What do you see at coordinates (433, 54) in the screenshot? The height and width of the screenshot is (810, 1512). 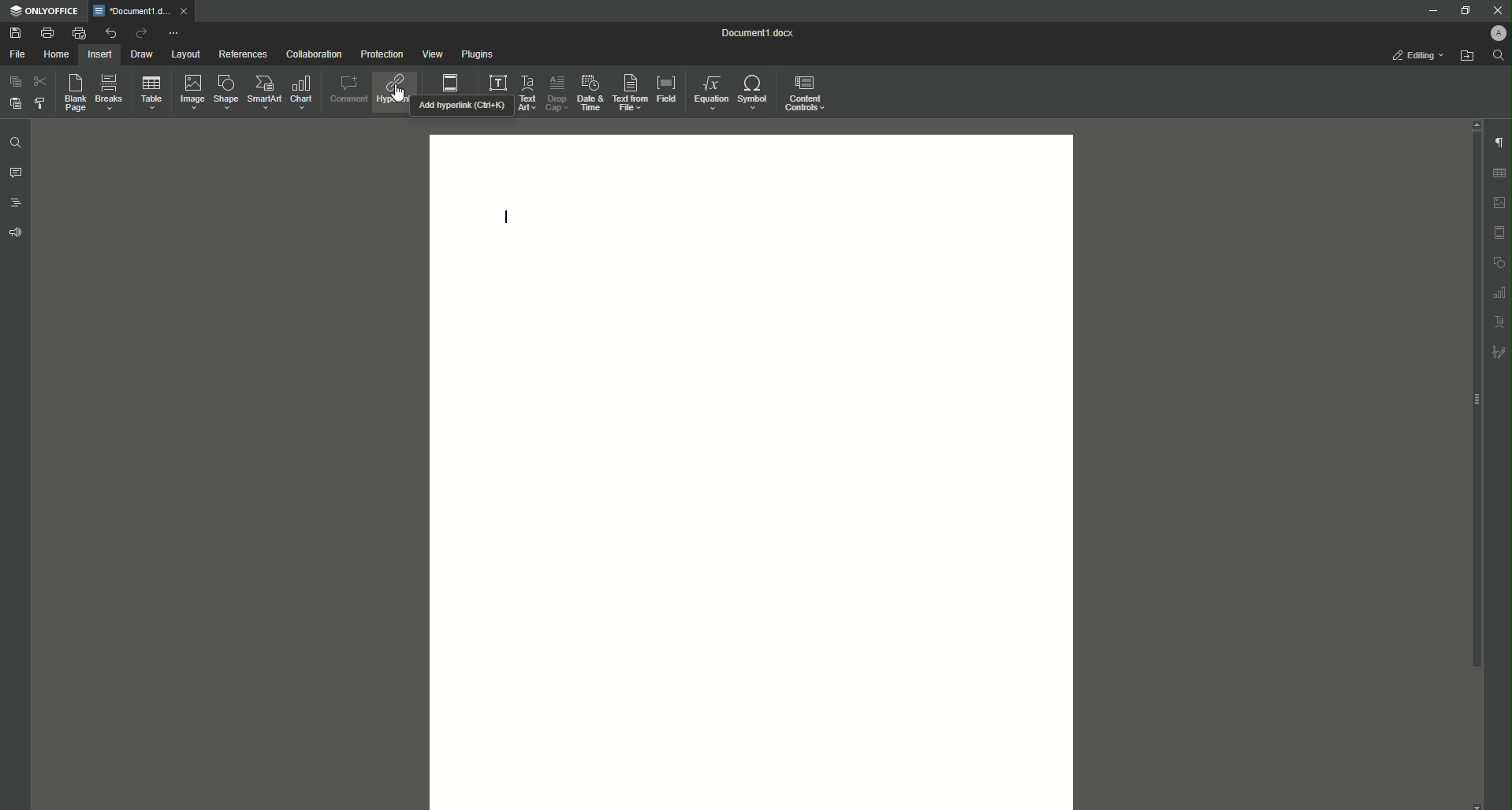 I see `View` at bounding box center [433, 54].